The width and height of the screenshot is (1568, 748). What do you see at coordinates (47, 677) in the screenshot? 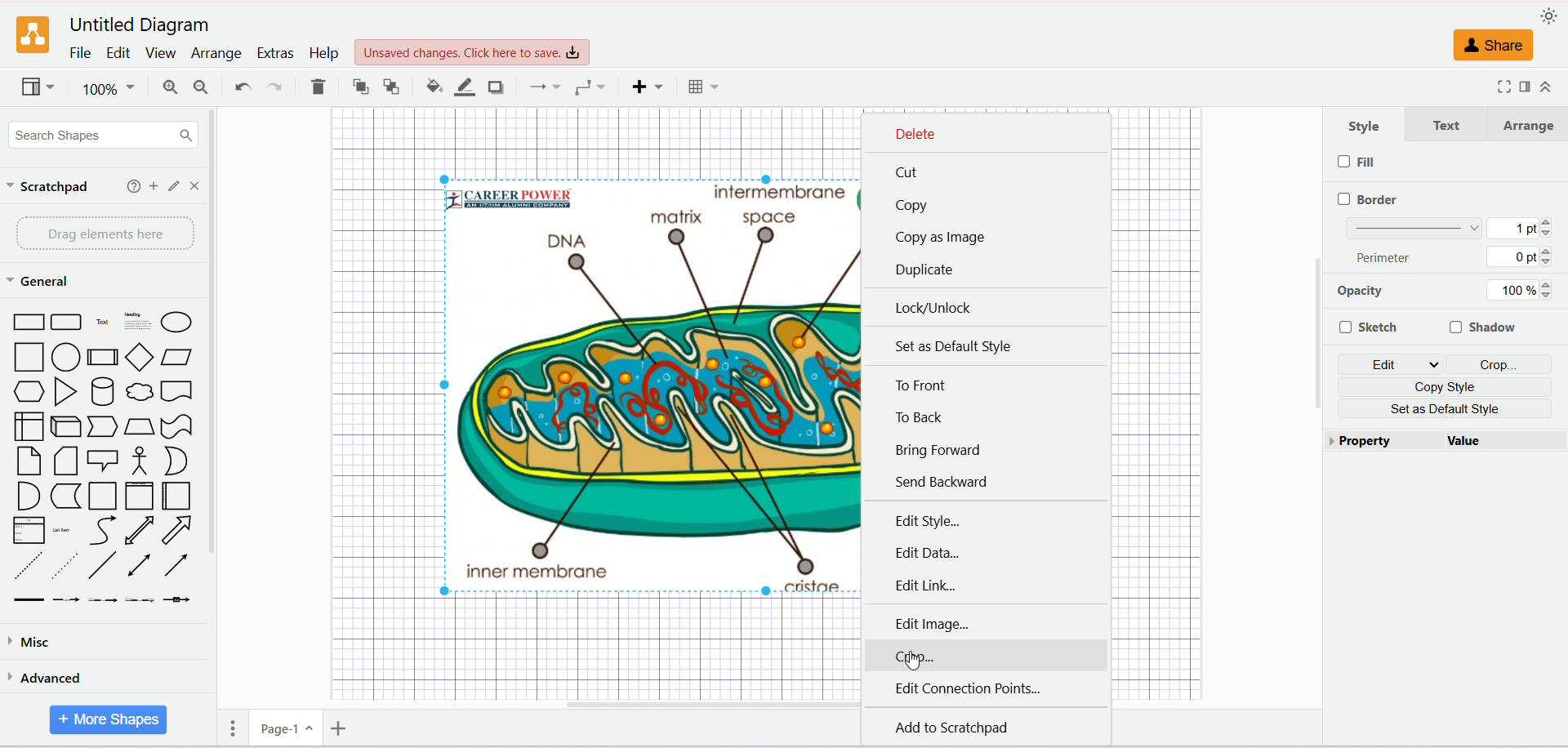
I see `advanced` at bounding box center [47, 677].